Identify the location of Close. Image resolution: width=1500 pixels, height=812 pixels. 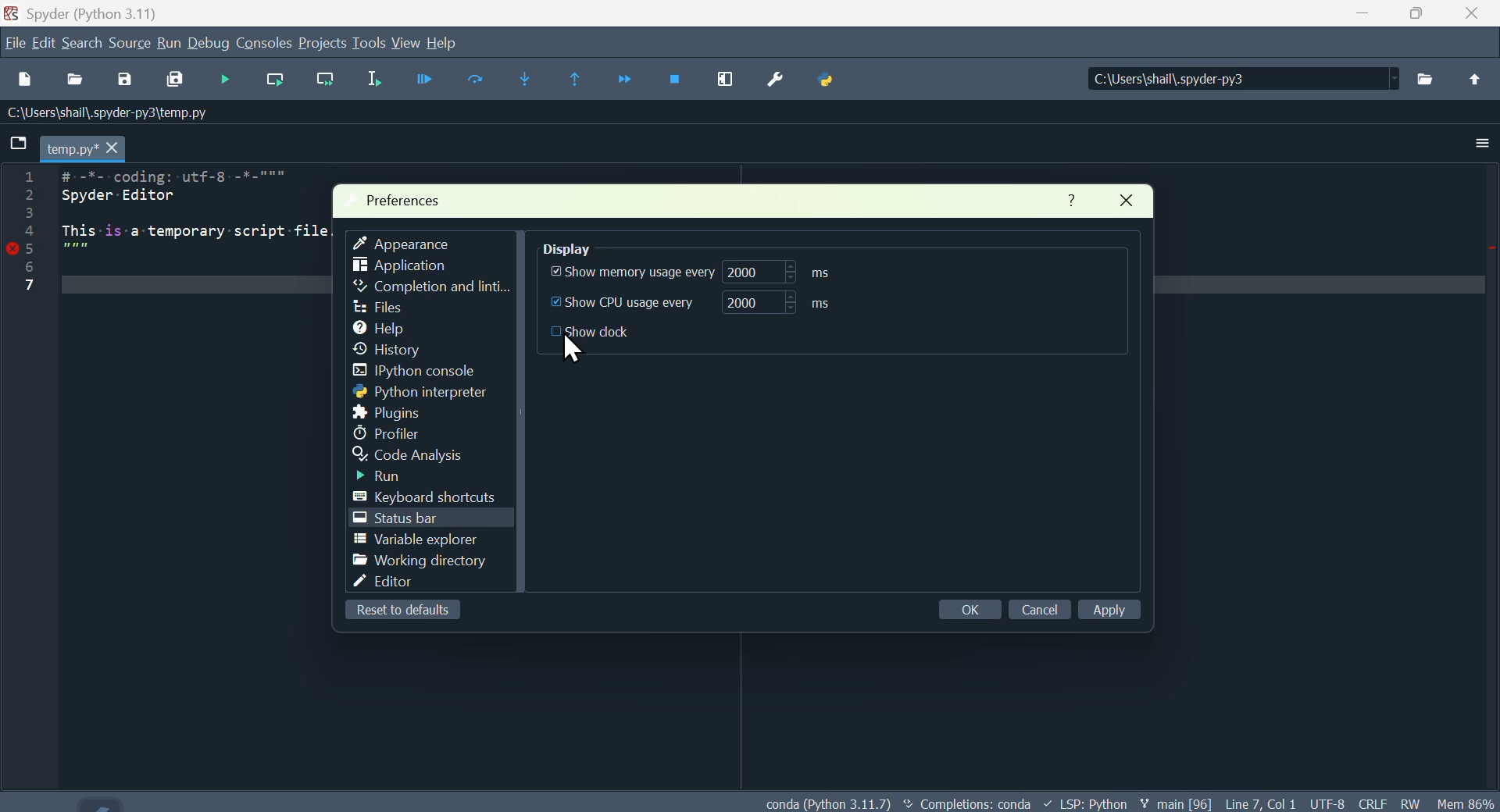
(1476, 15).